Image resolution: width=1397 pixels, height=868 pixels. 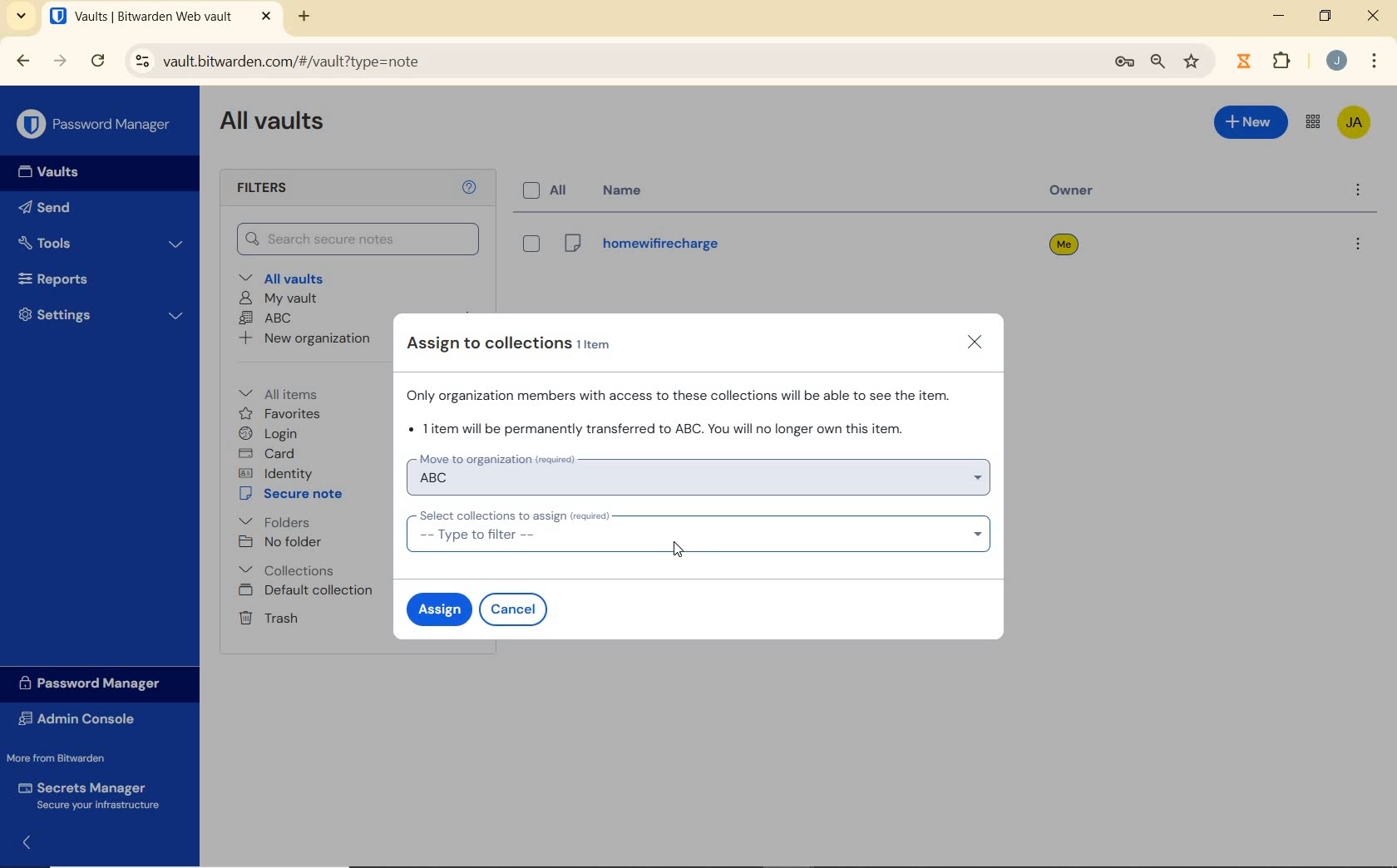 What do you see at coordinates (306, 338) in the screenshot?
I see `New organization` at bounding box center [306, 338].